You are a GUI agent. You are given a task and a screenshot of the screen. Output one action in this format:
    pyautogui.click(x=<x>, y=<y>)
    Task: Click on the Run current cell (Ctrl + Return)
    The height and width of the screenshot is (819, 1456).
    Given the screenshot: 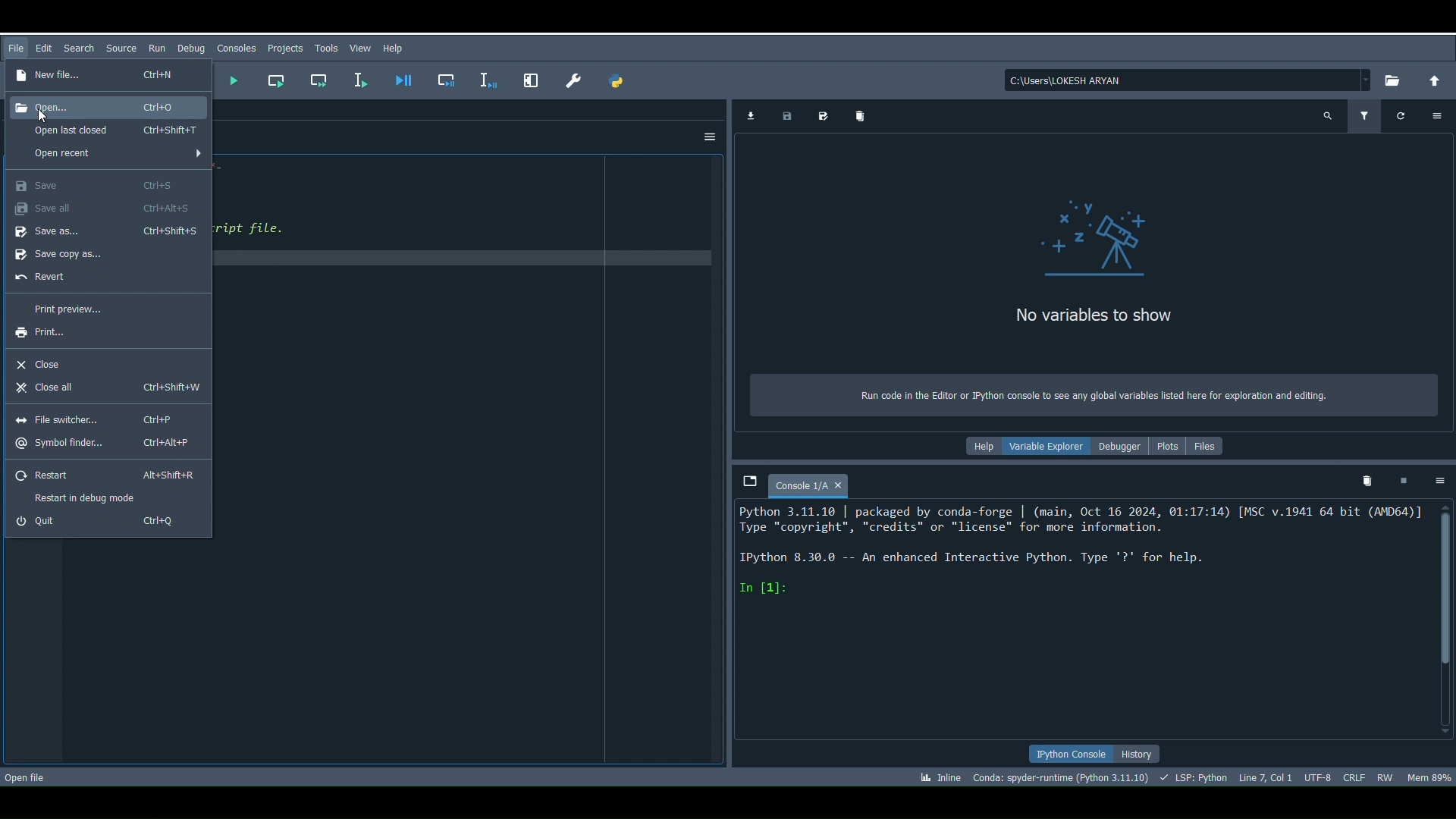 What is the action you would take?
    pyautogui.click(x=275, y=78)
    